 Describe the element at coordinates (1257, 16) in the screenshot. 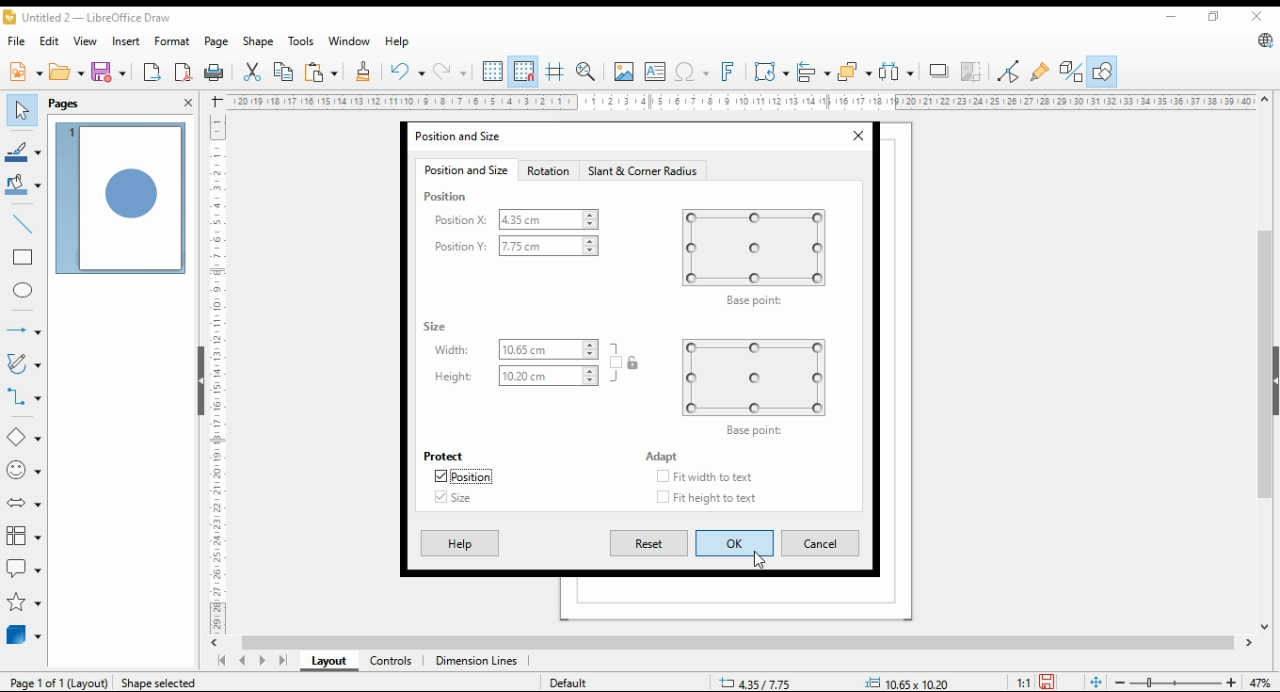

I see `close window` at that location.